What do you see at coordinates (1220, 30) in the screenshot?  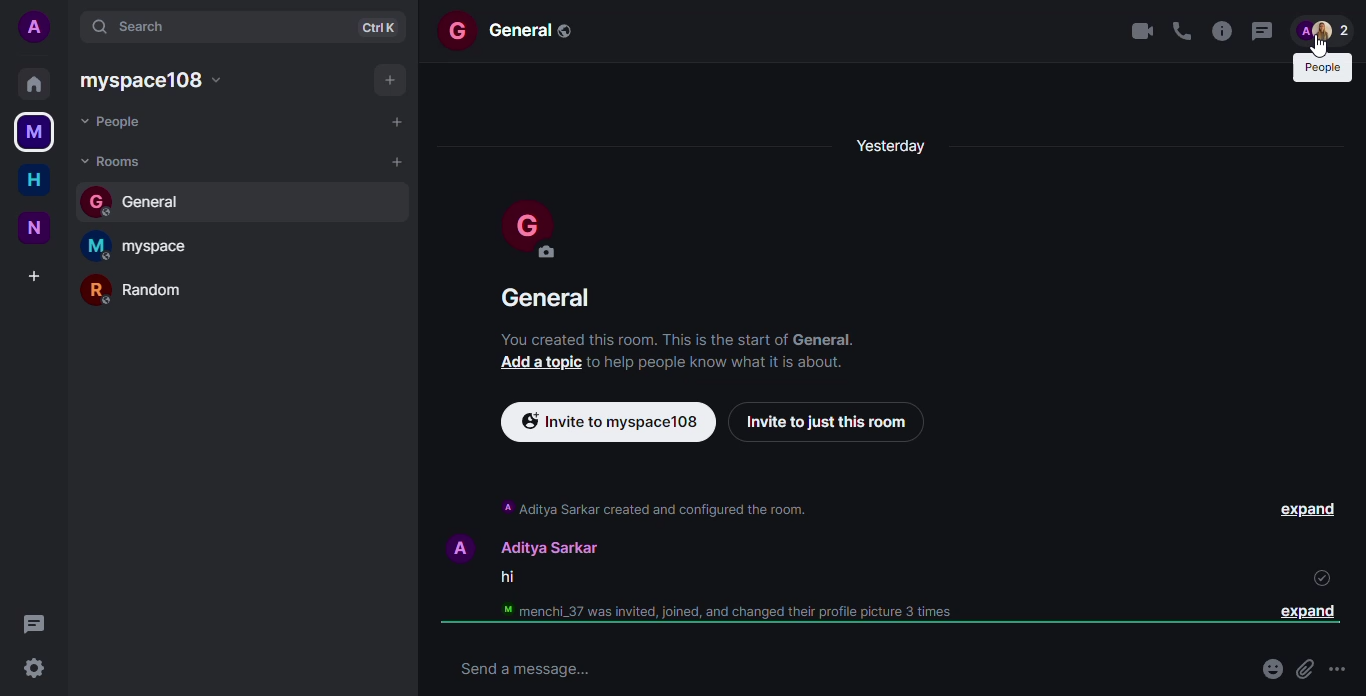 I see `info` at bounding box center [1220, 30].